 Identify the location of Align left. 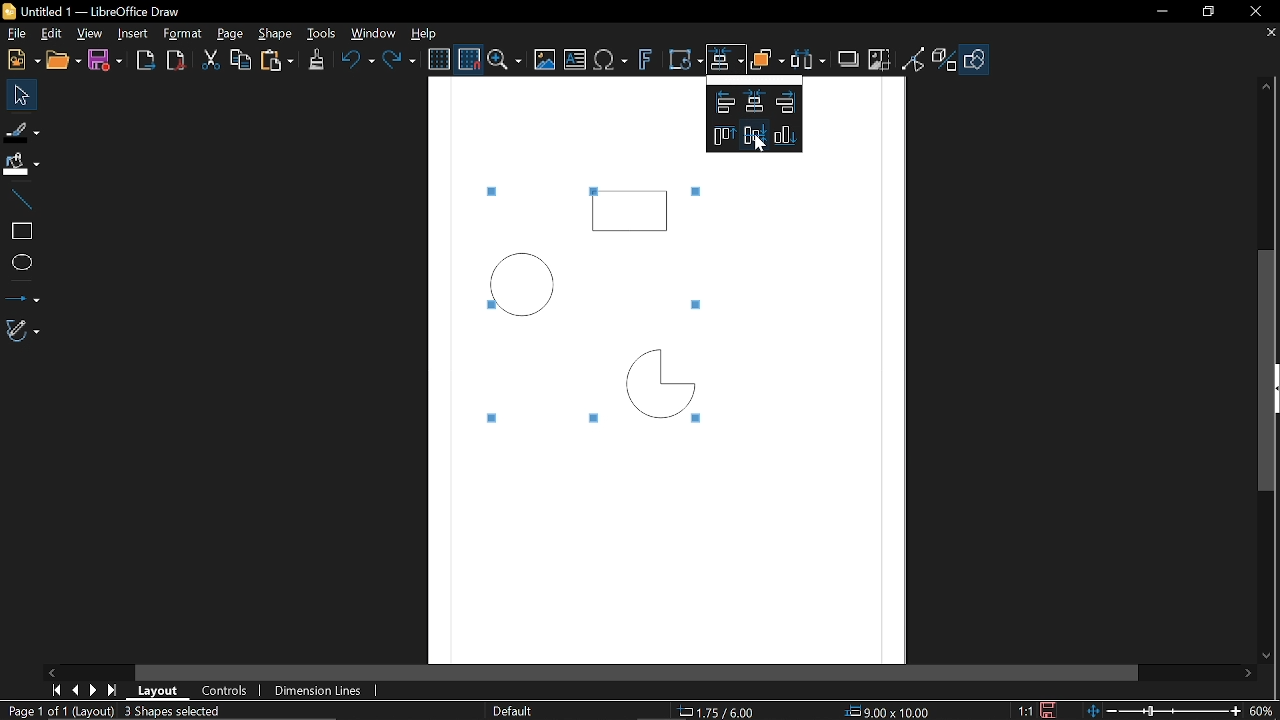
(724, 103).